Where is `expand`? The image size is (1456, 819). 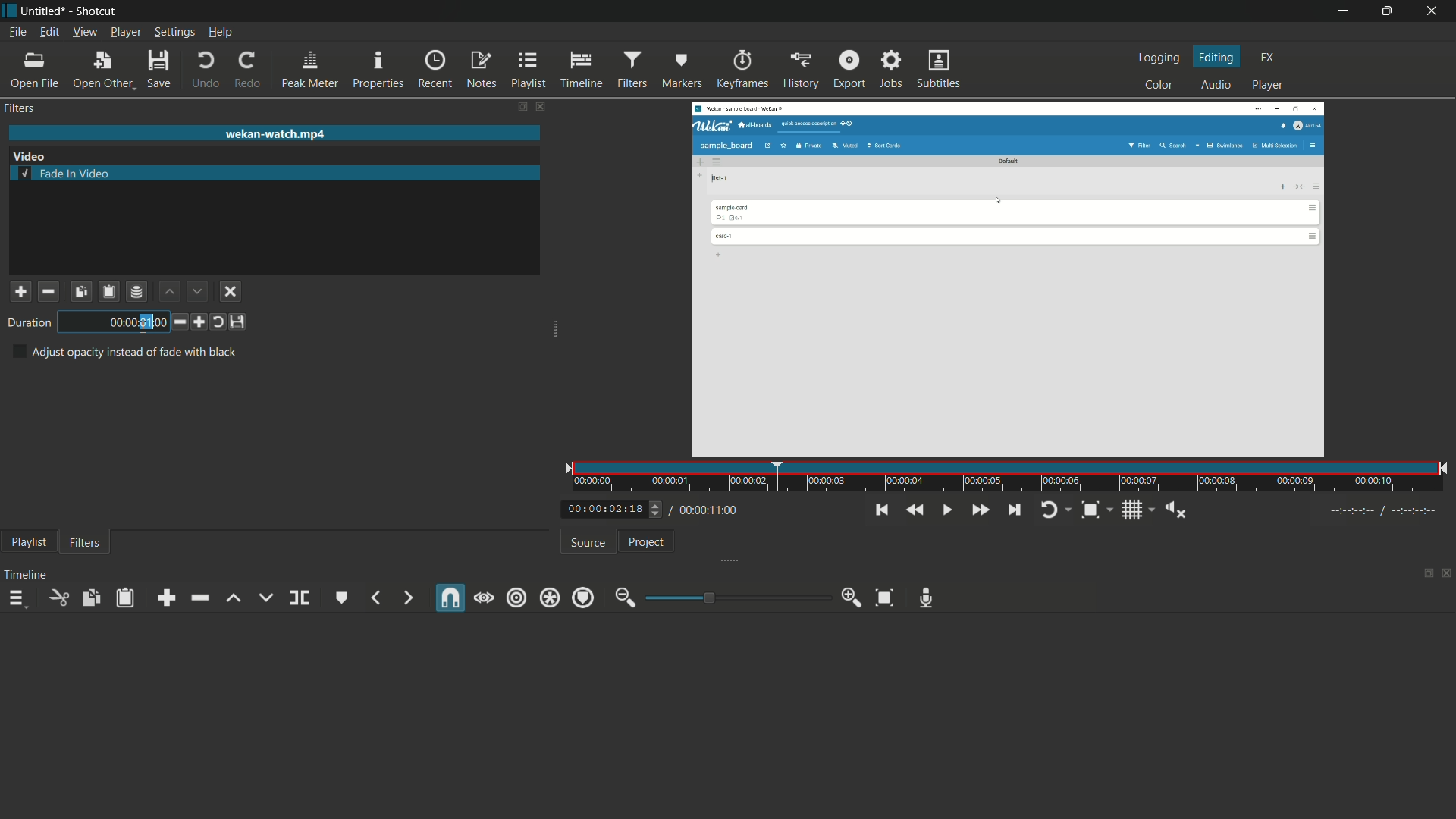
expand is located at coordinates (736, 559).